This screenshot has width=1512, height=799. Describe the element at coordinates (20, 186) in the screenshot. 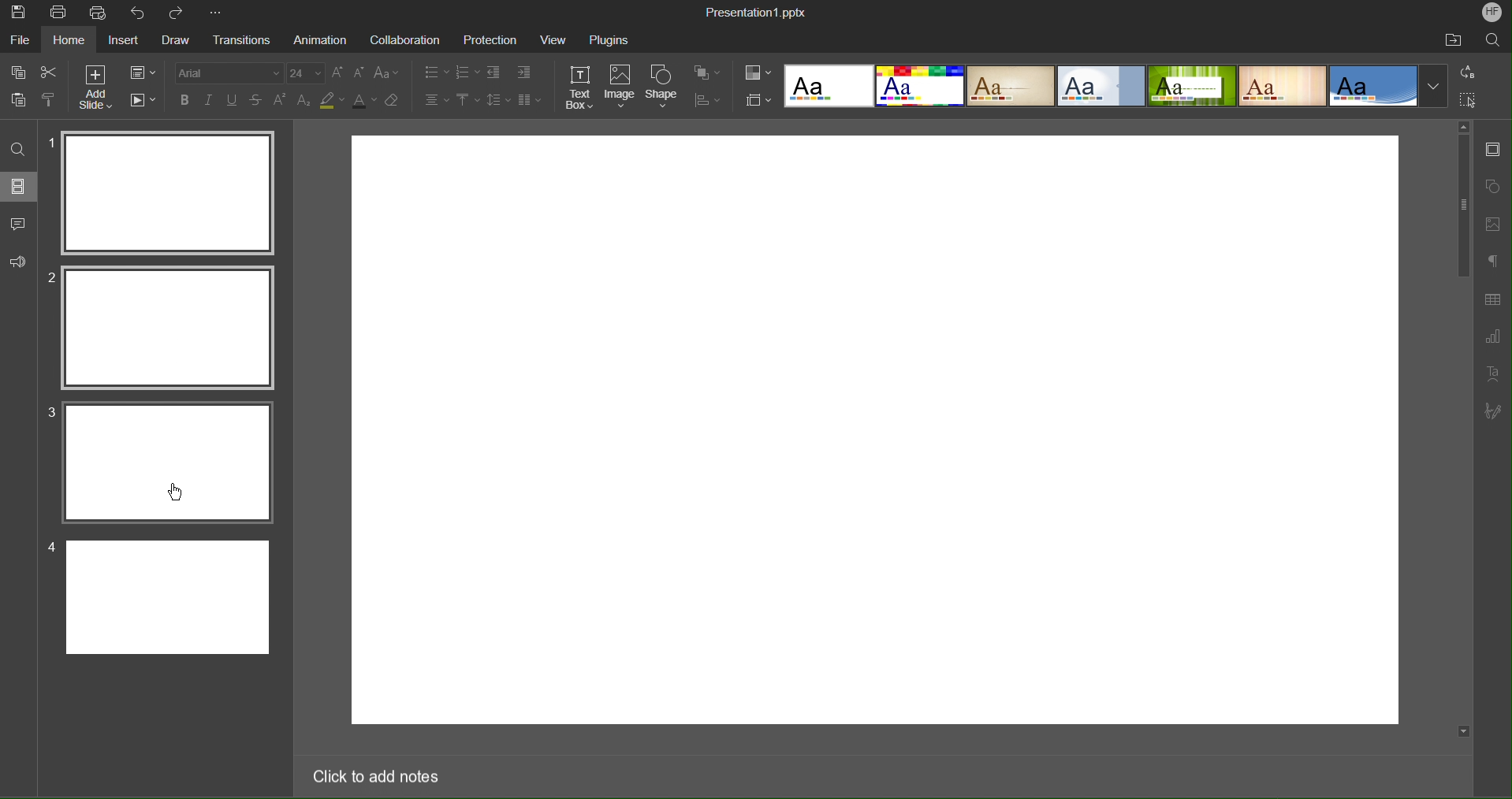

I see `Slides` at that location.